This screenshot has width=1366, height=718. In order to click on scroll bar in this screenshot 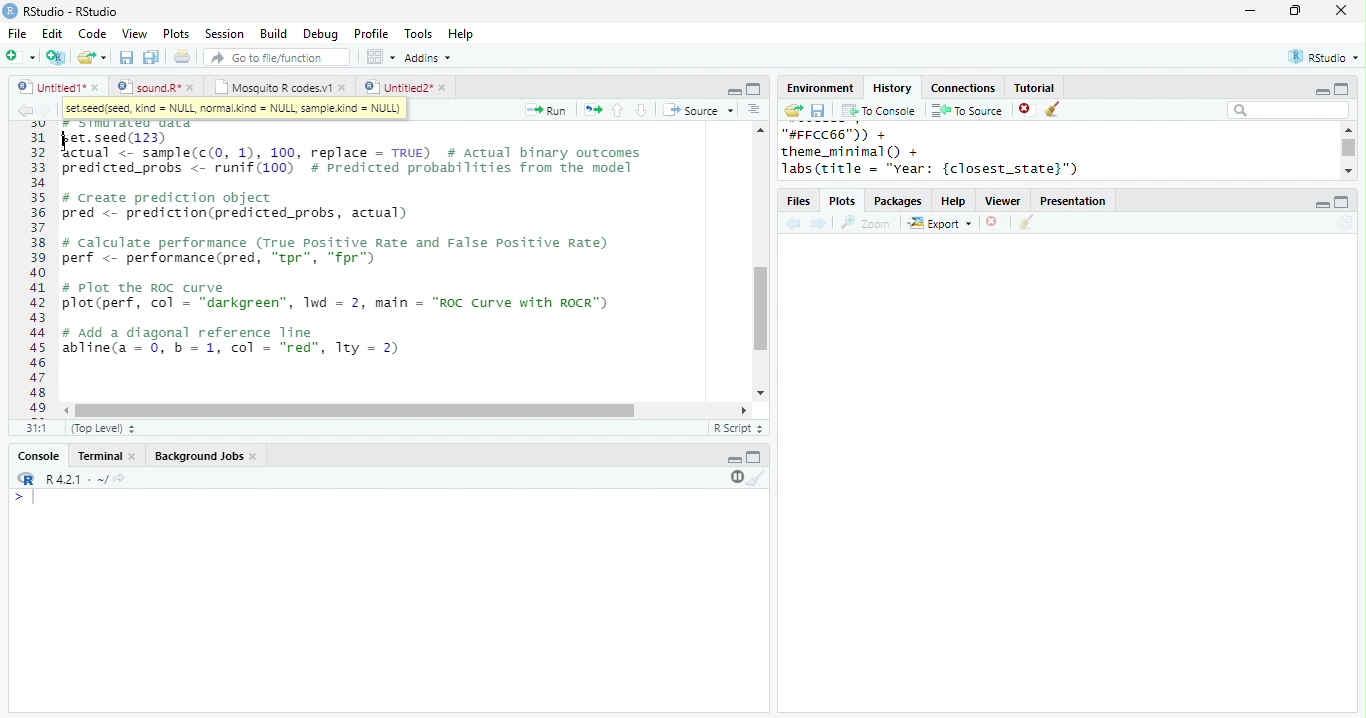, I will do `click(355, 411)`.